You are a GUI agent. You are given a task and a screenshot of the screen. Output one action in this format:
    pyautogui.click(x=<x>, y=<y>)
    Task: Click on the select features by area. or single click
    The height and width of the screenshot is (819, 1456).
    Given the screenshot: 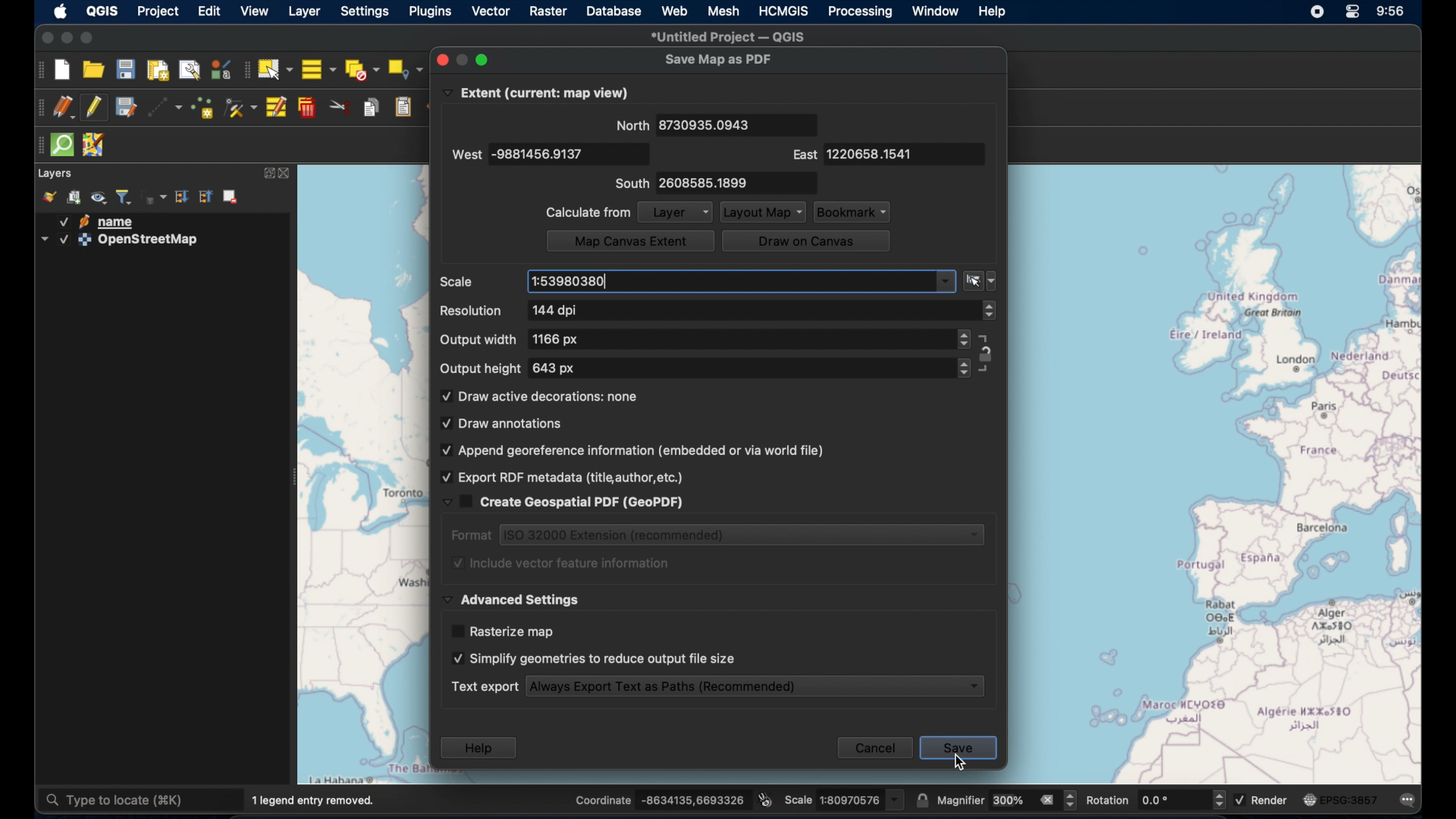 What is the action you would take?
    pyautogui.click(x=275, y=70)
    